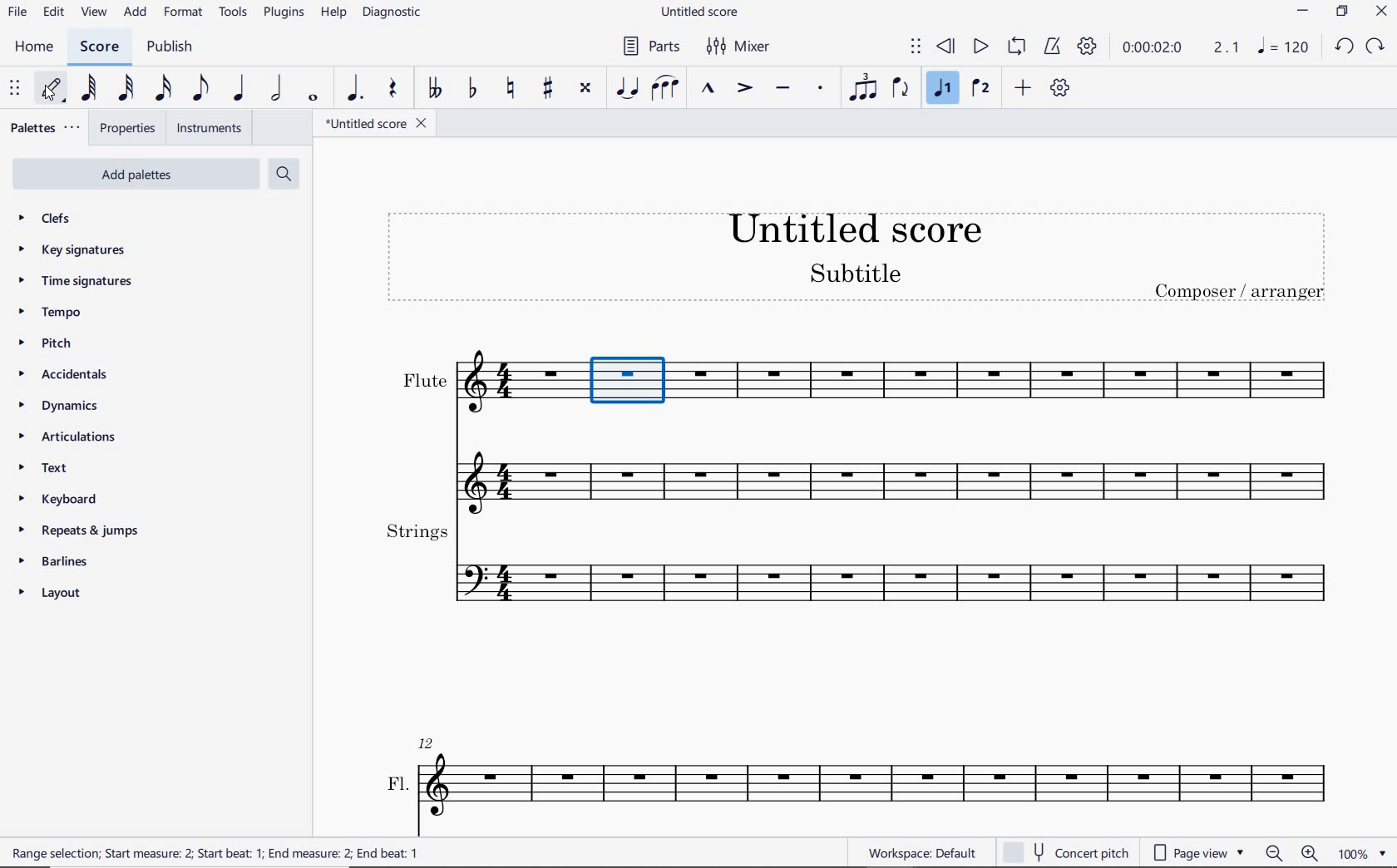 Image resolution: width=1397 pixels, height=868 pixels. I want to click on file, so click(16, 12).